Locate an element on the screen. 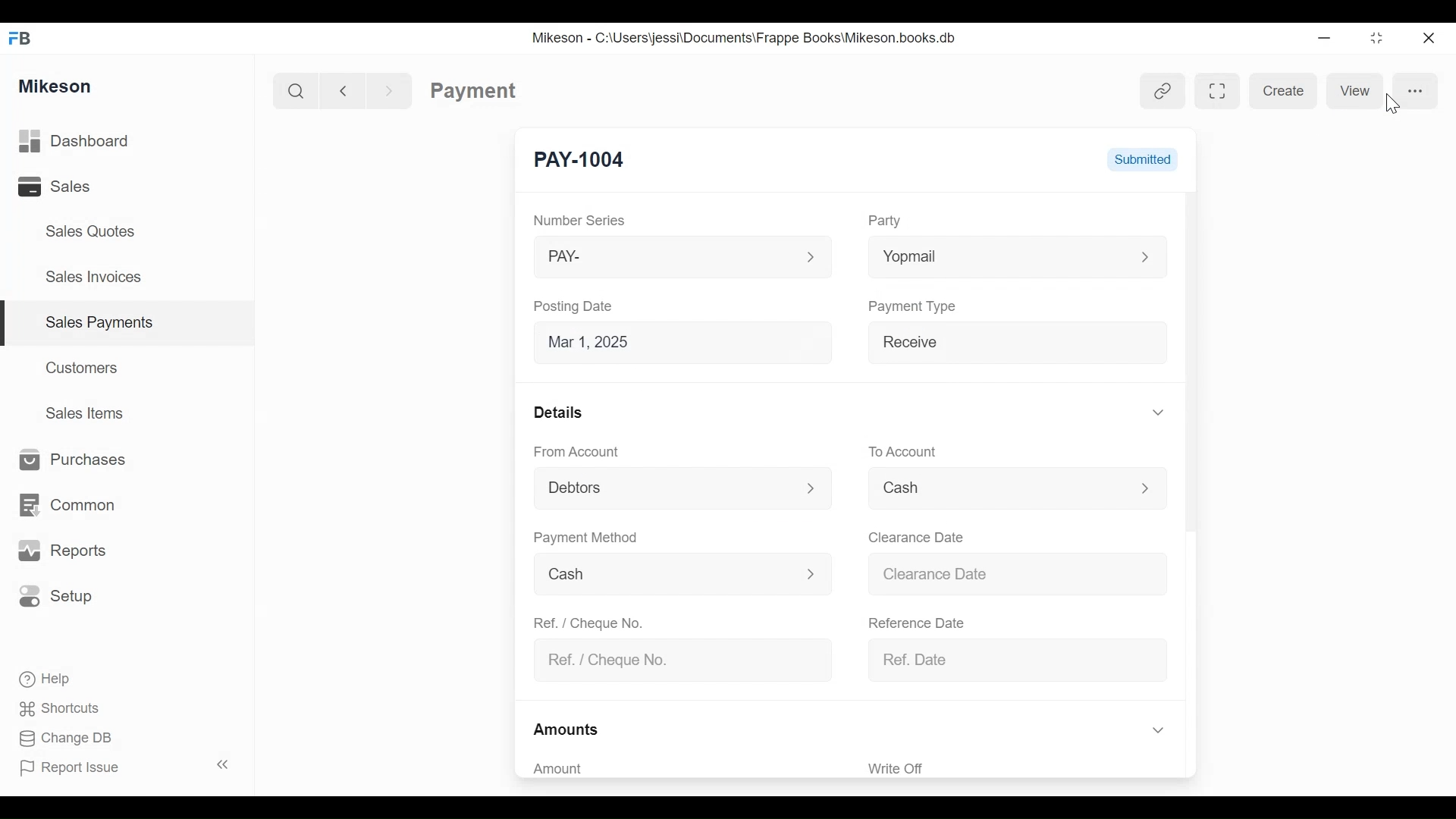 This screenshot has width=1456, height=819. Cash is located at coordinates (682, 573).